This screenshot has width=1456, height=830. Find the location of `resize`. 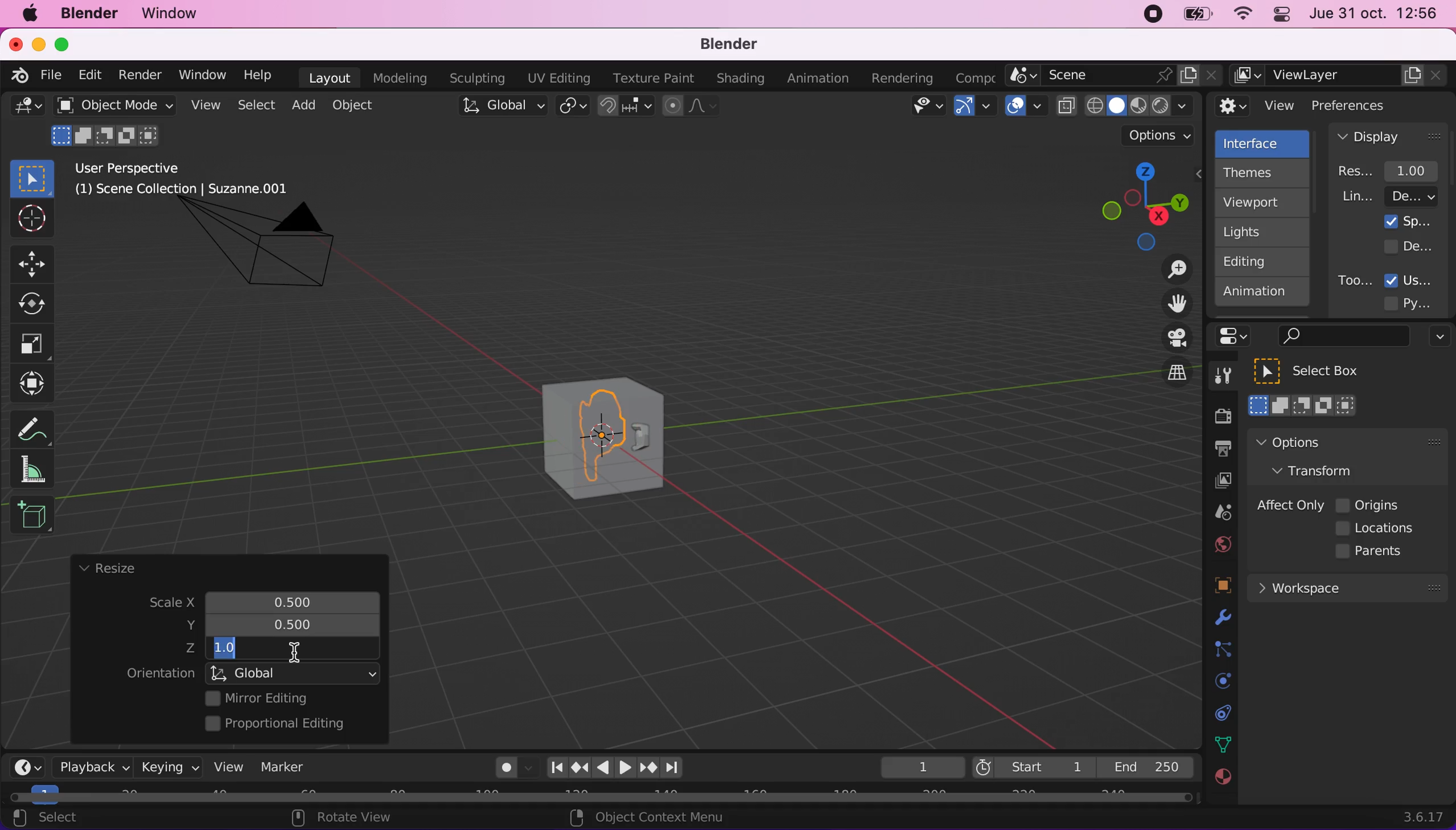

resize is located at coordinates (107, 569).